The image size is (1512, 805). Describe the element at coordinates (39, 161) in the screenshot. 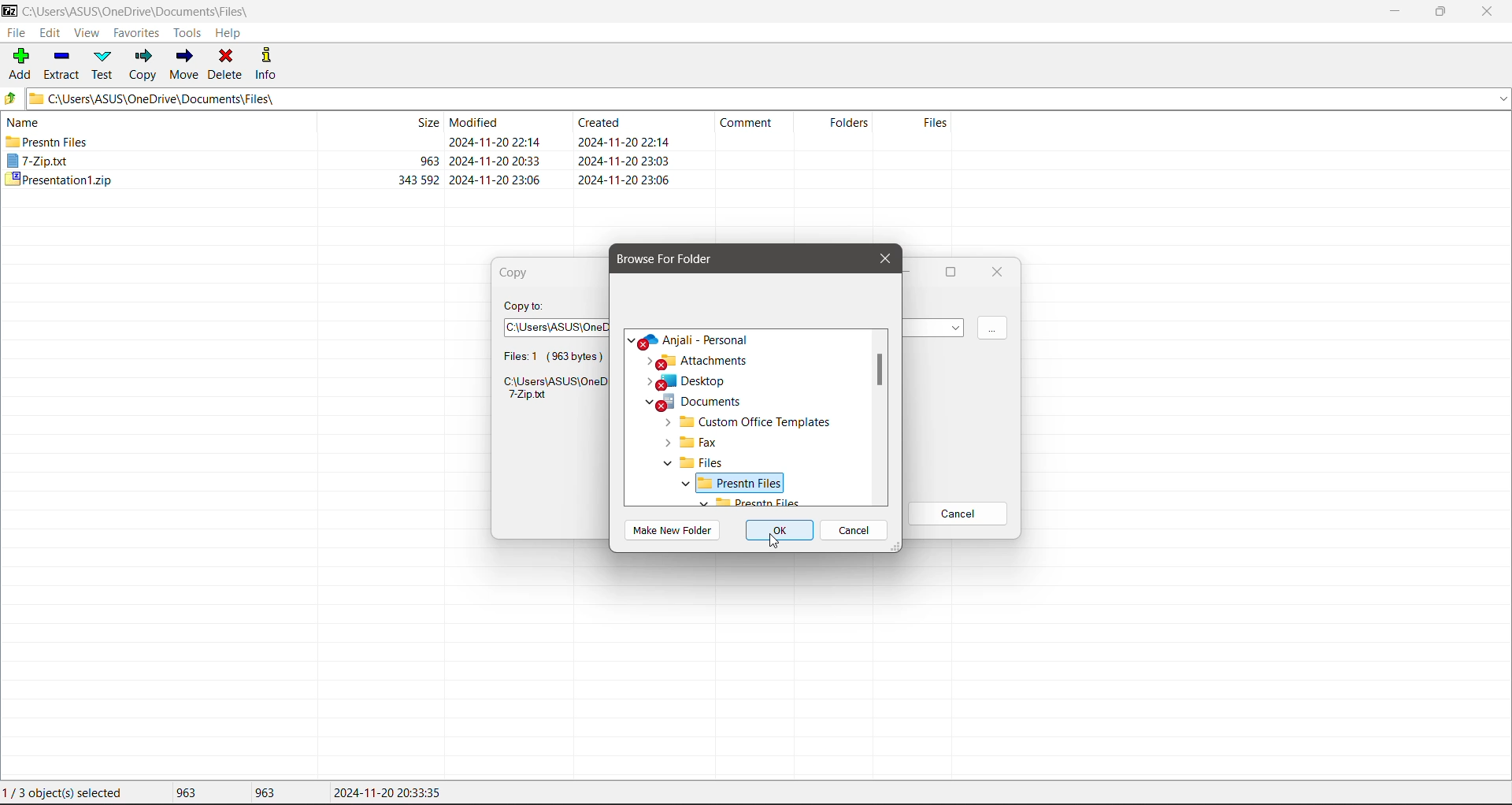

I see `7.zip.txt` at that location.